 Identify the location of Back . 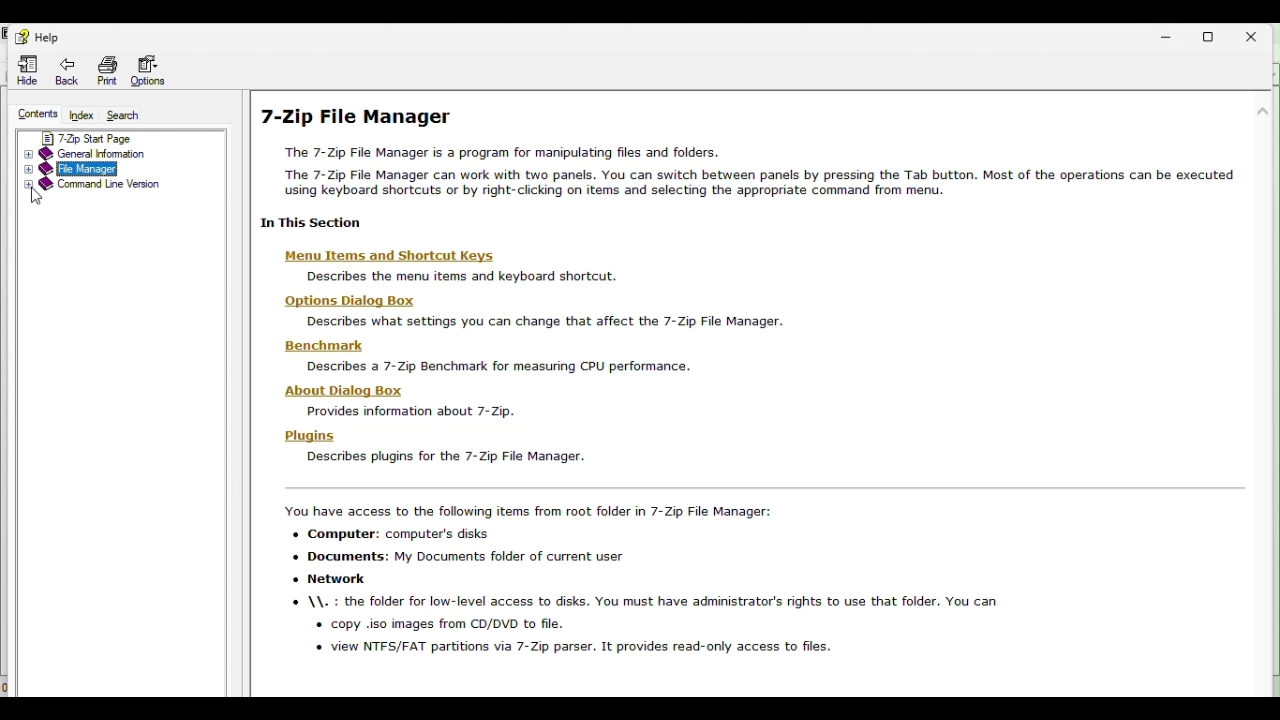
(67, 70).